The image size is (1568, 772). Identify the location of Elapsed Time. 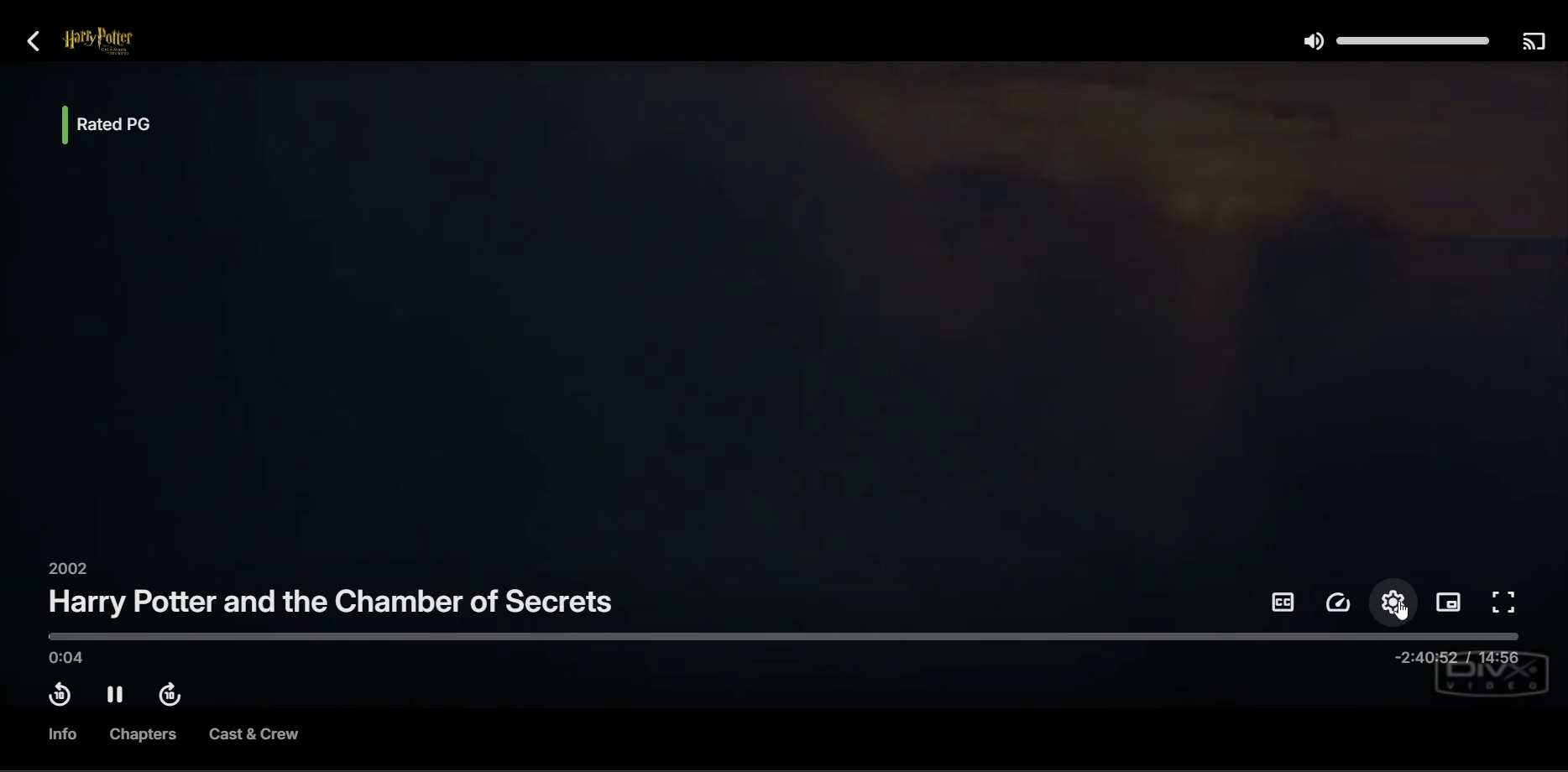
(65, 660).